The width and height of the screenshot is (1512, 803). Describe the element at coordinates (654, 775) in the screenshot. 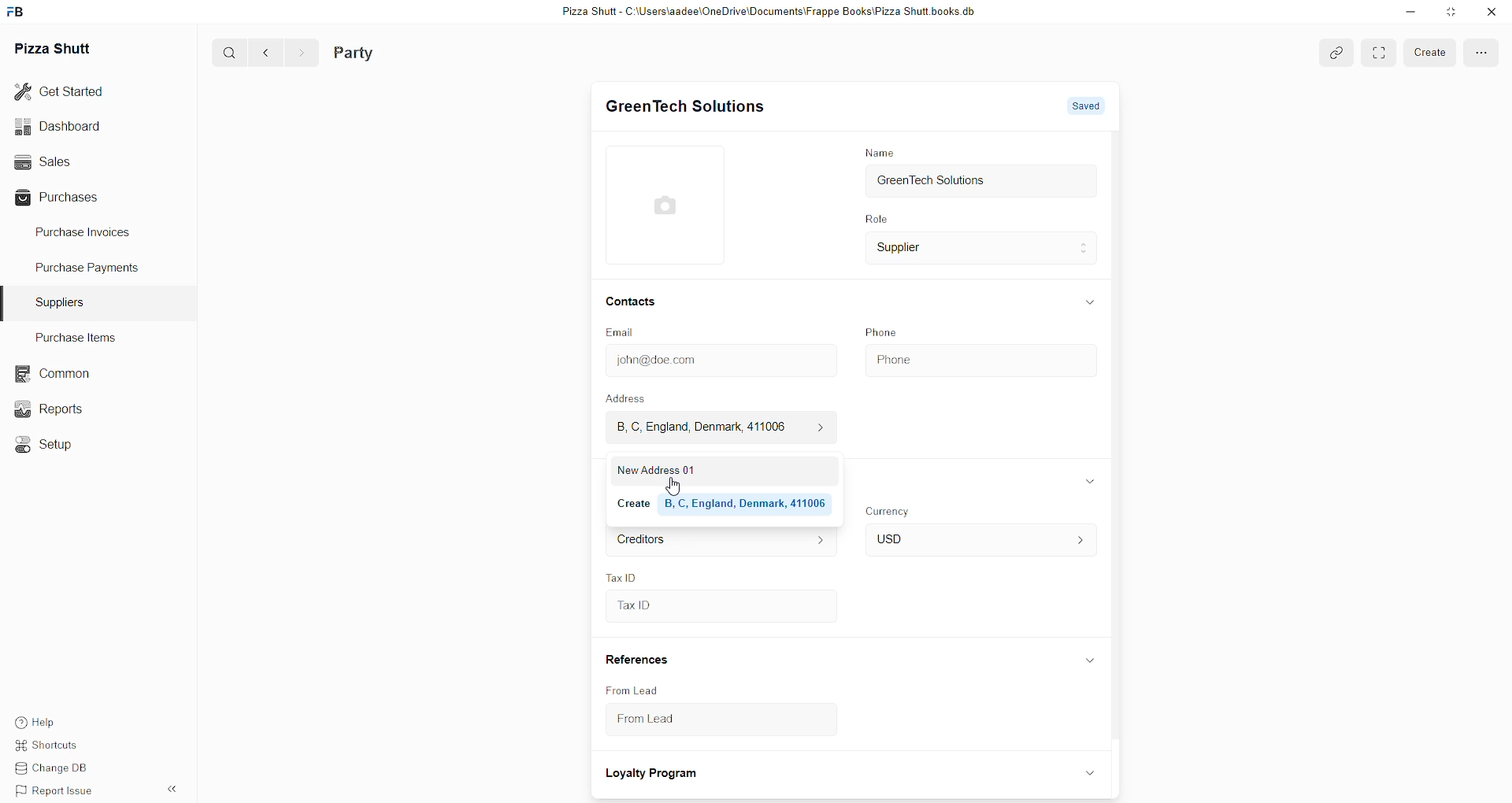

I see `Loyalty Program` at that location.